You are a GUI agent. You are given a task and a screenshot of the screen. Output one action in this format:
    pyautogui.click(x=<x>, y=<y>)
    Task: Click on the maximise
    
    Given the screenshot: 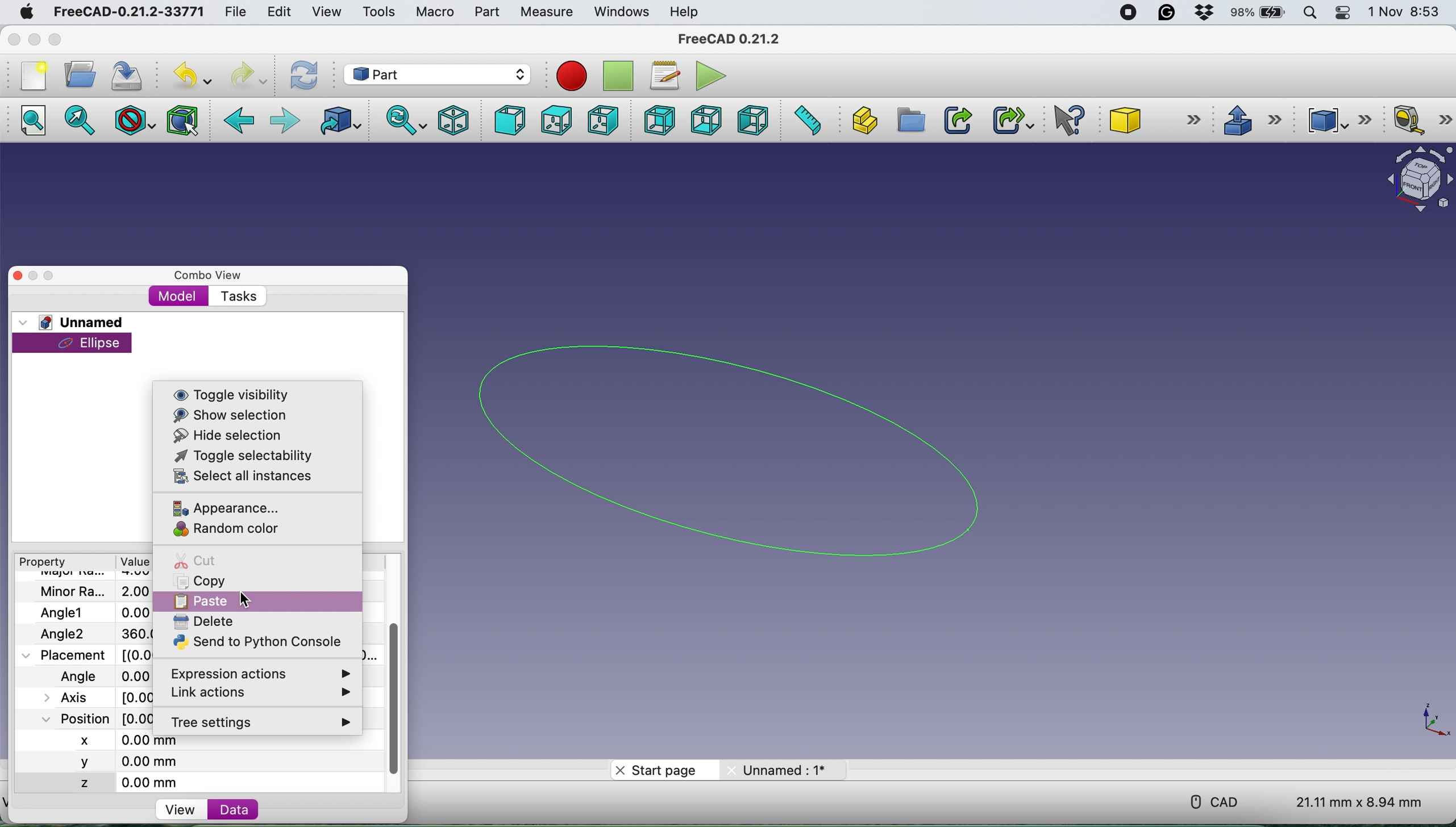 What is the action you would take?
    pyautogui.click(x=53, y=40)
    